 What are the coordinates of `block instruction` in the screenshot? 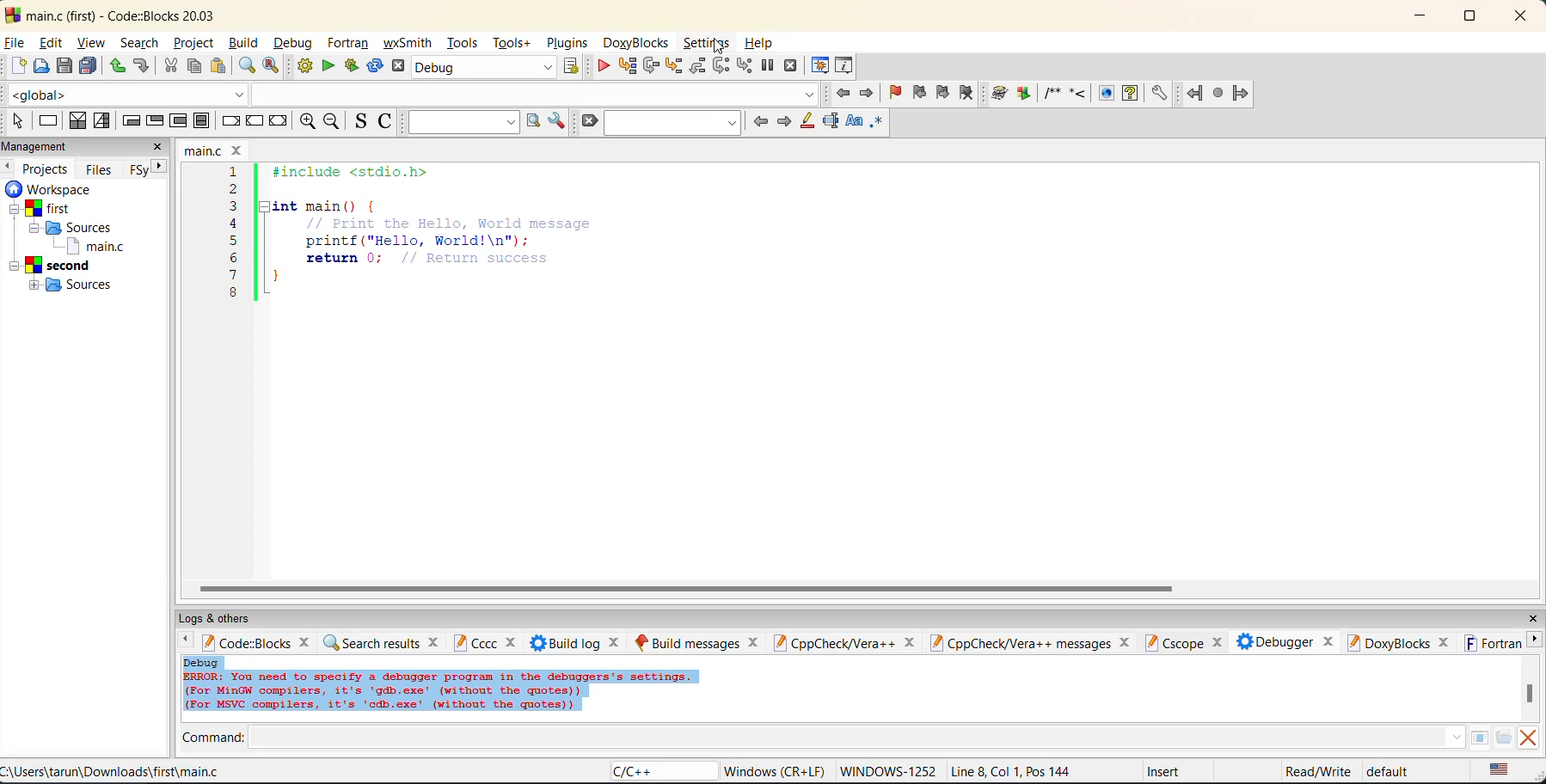 It's located at (203, 121).